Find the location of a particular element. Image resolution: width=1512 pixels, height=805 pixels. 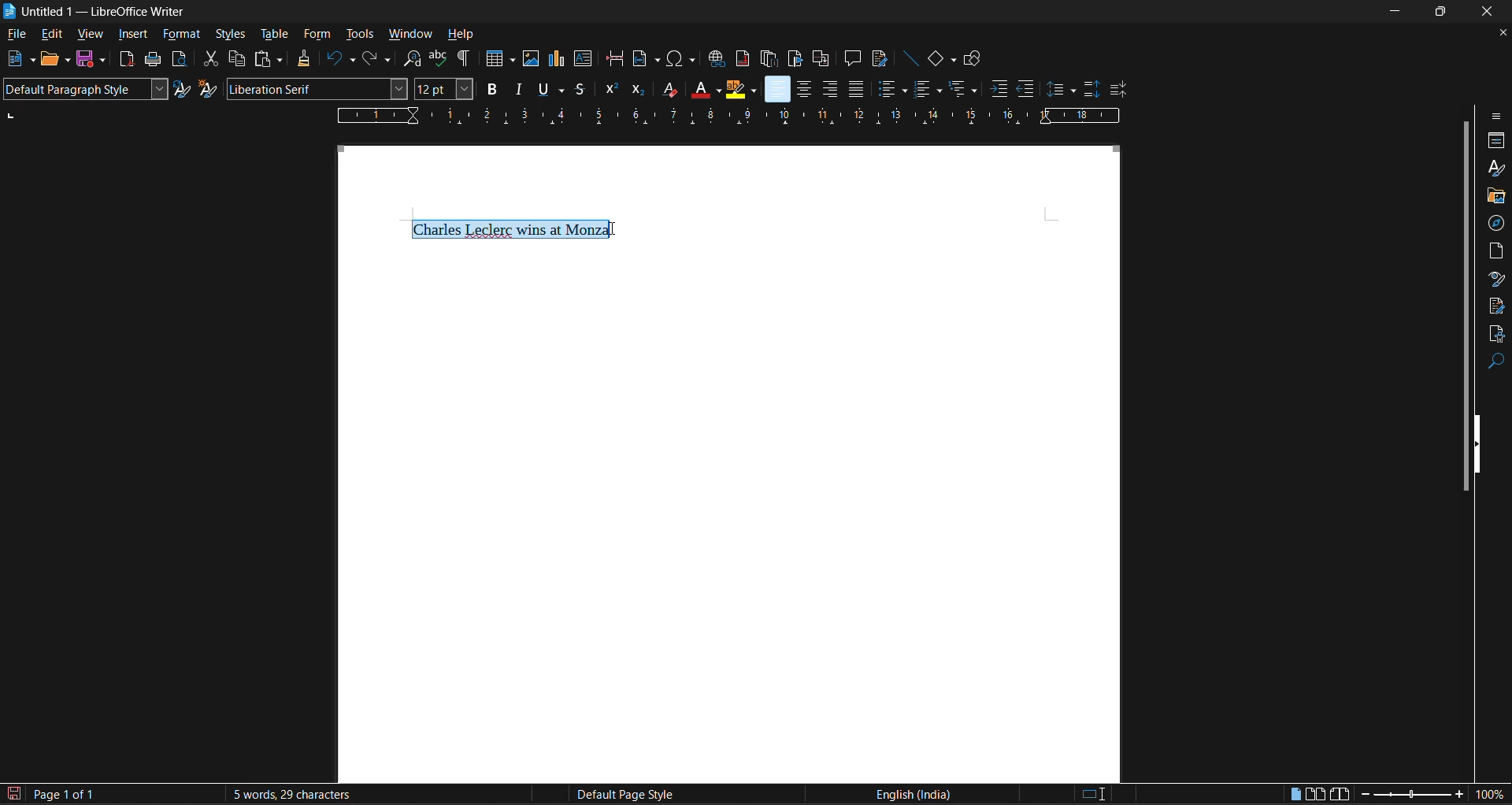

single page view is located at coordinates (1296, 796).